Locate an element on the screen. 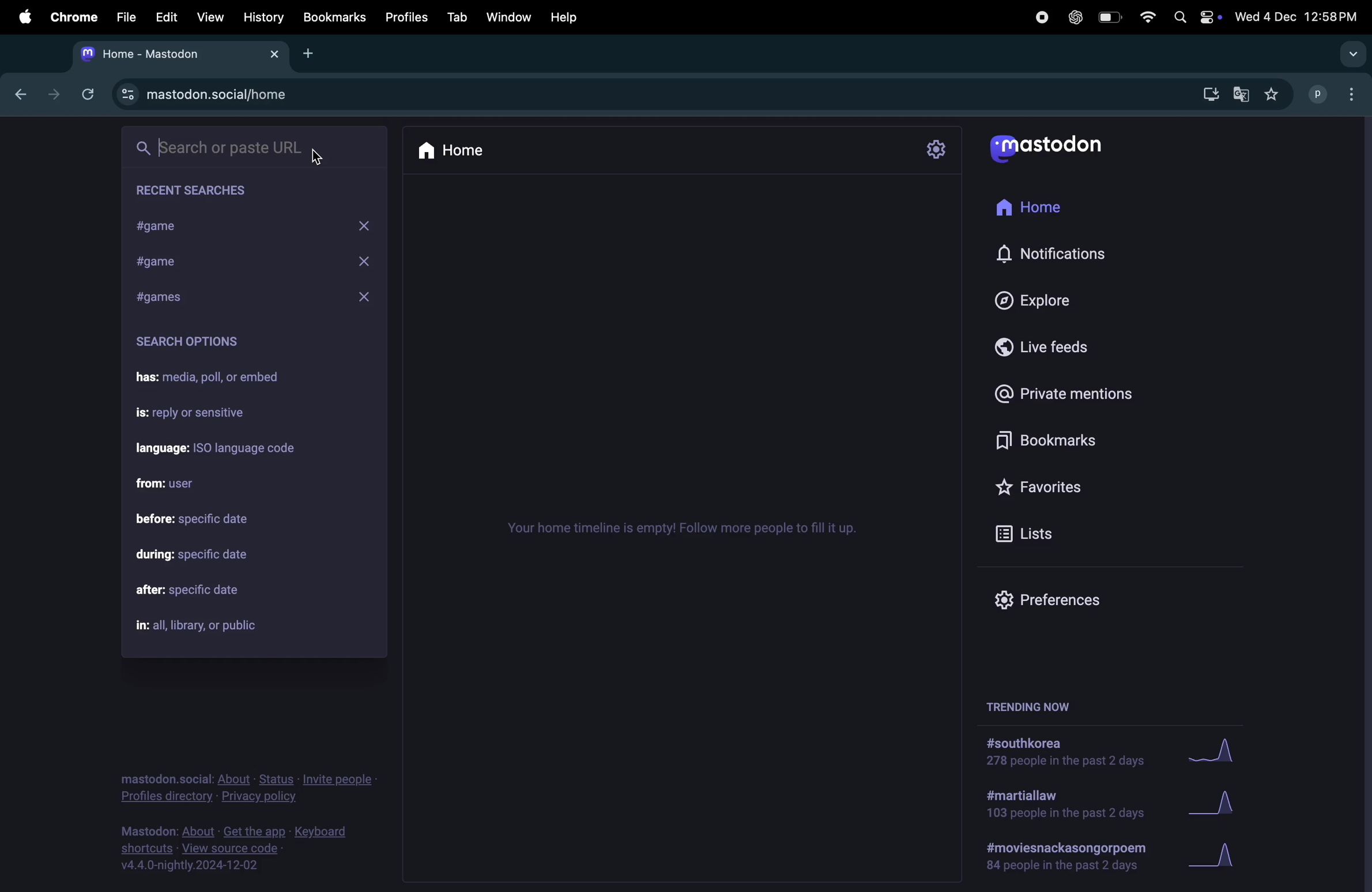  Chrome is located at coordinates (72, 16).